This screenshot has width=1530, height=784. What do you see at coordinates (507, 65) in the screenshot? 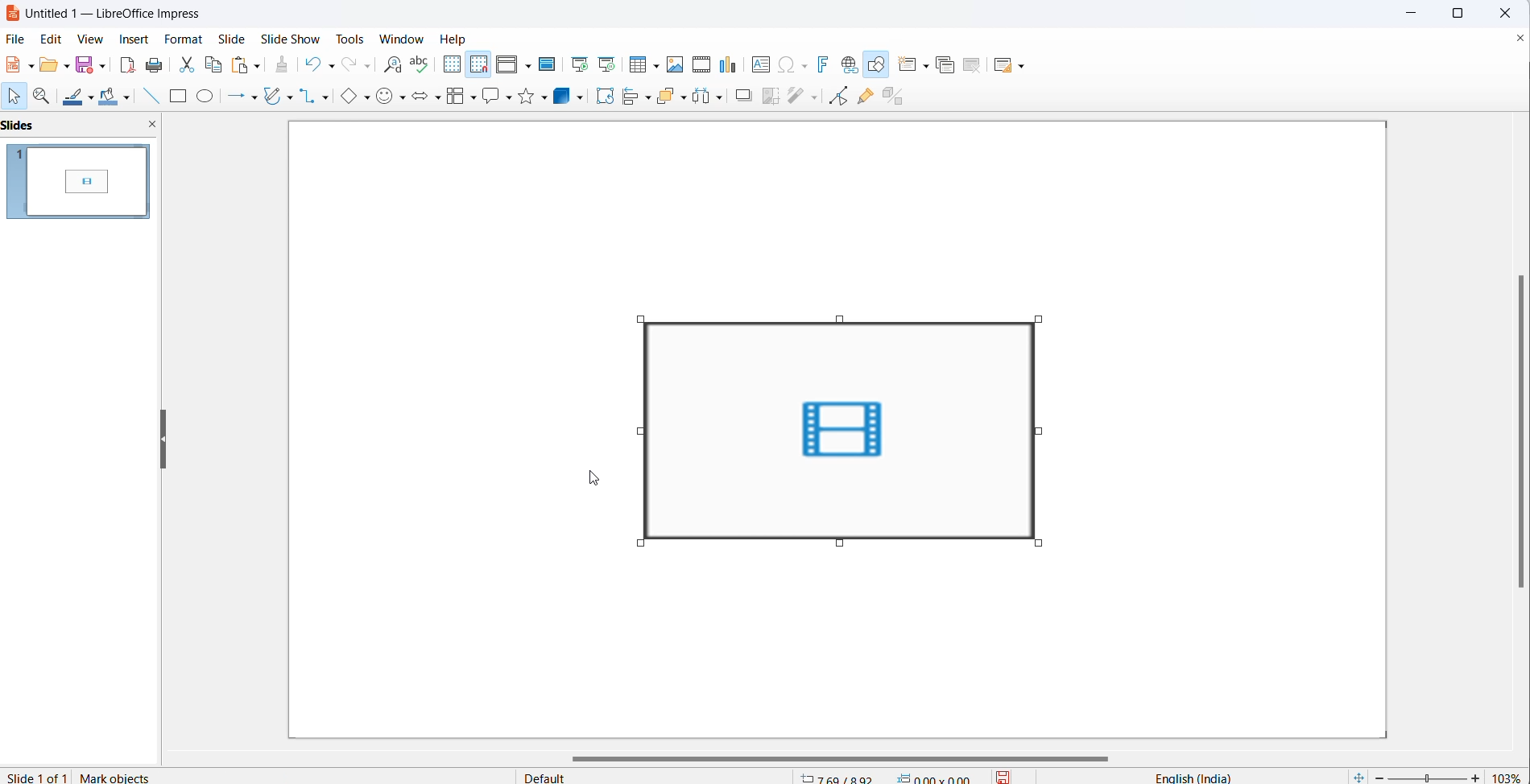
I see `display views` at bounding box center [507, 65].